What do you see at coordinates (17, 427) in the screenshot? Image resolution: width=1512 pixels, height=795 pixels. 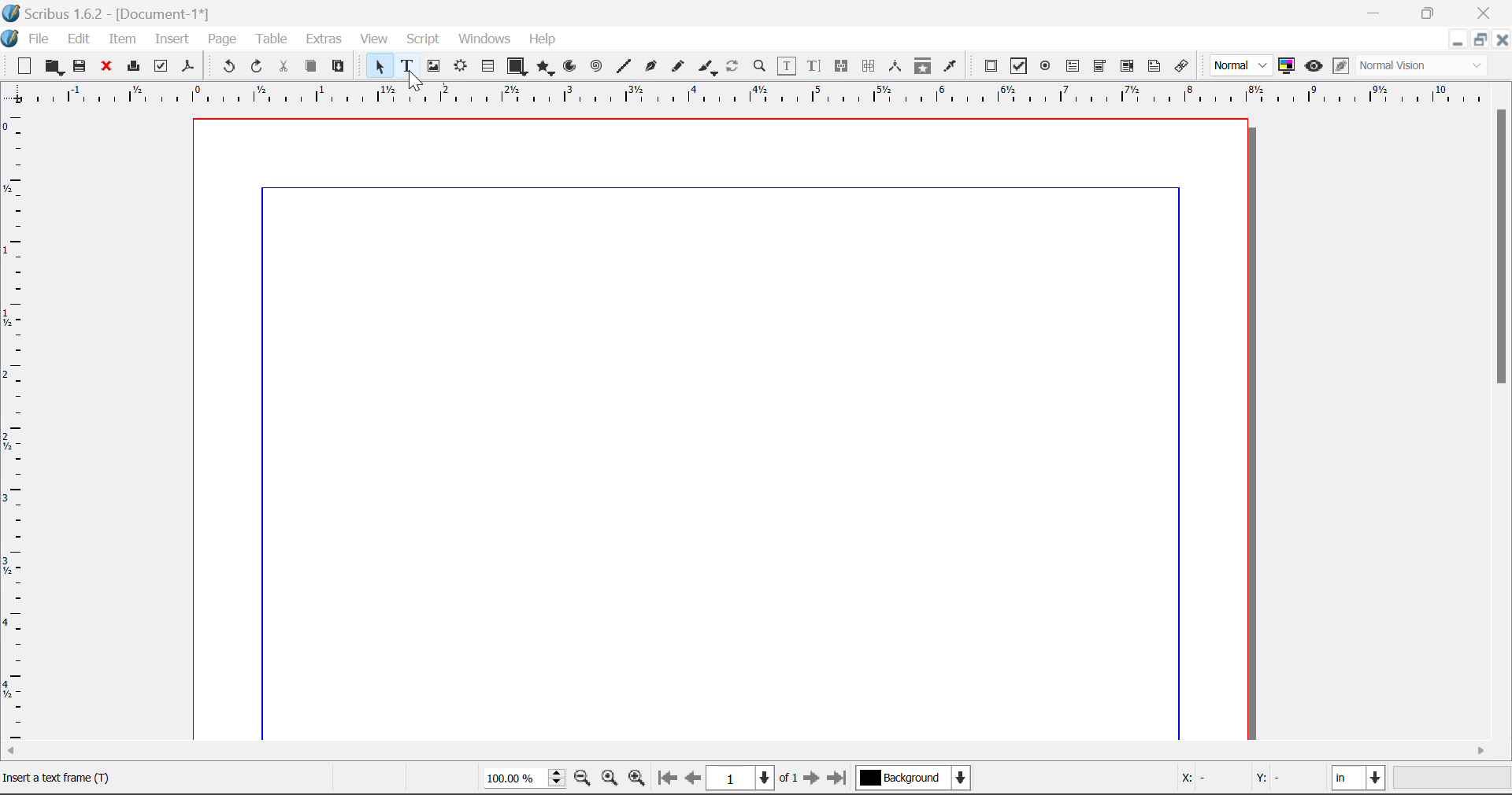 I see `Horizontal Page Margins` at bounding box center [17, 427].